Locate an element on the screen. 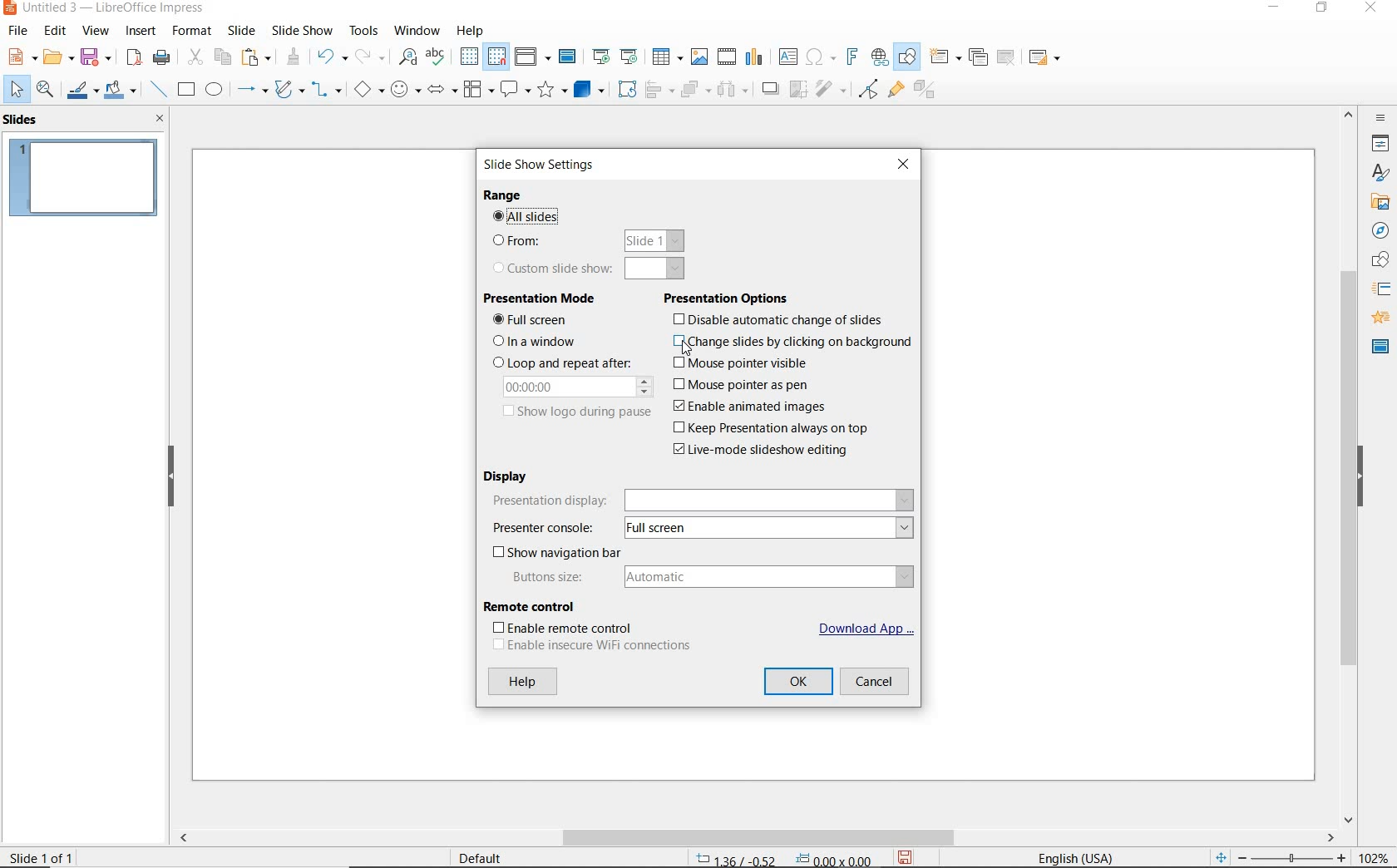  SPELLING is located at coordinates (437, 57).